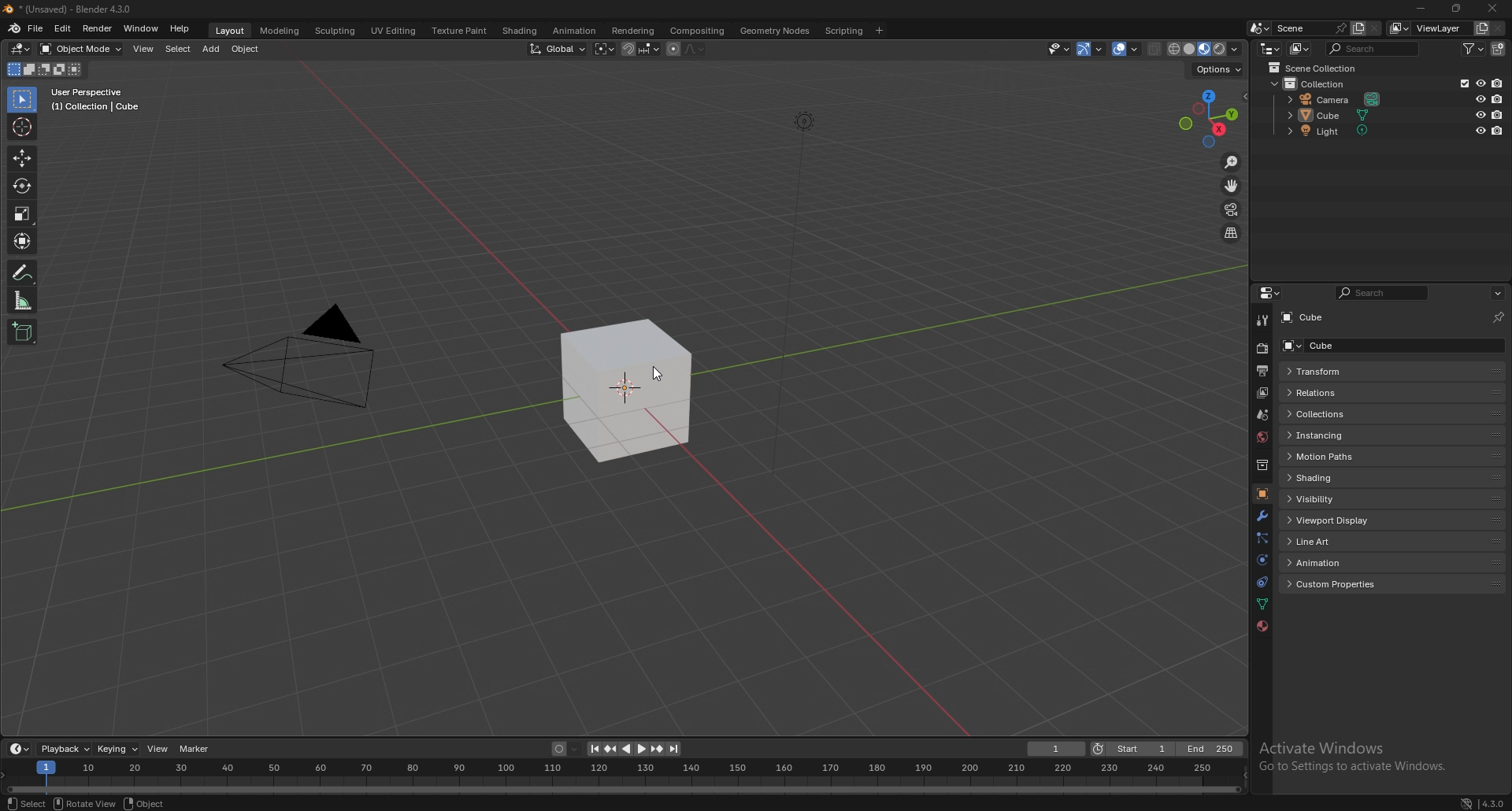  I want to click on camera view, so click(1232, 210).